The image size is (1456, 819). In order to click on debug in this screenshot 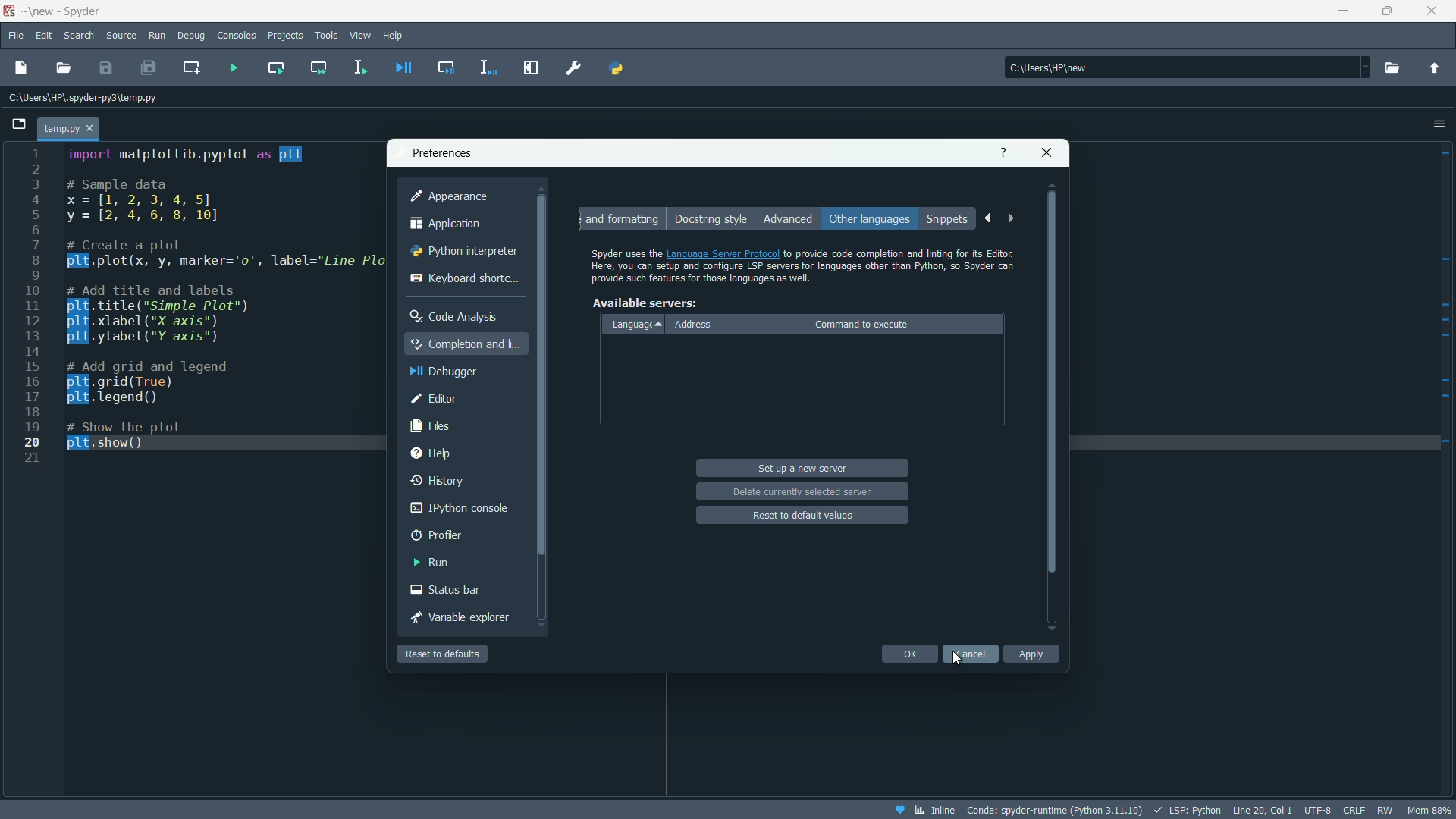, I will do `click(190, 36)`.